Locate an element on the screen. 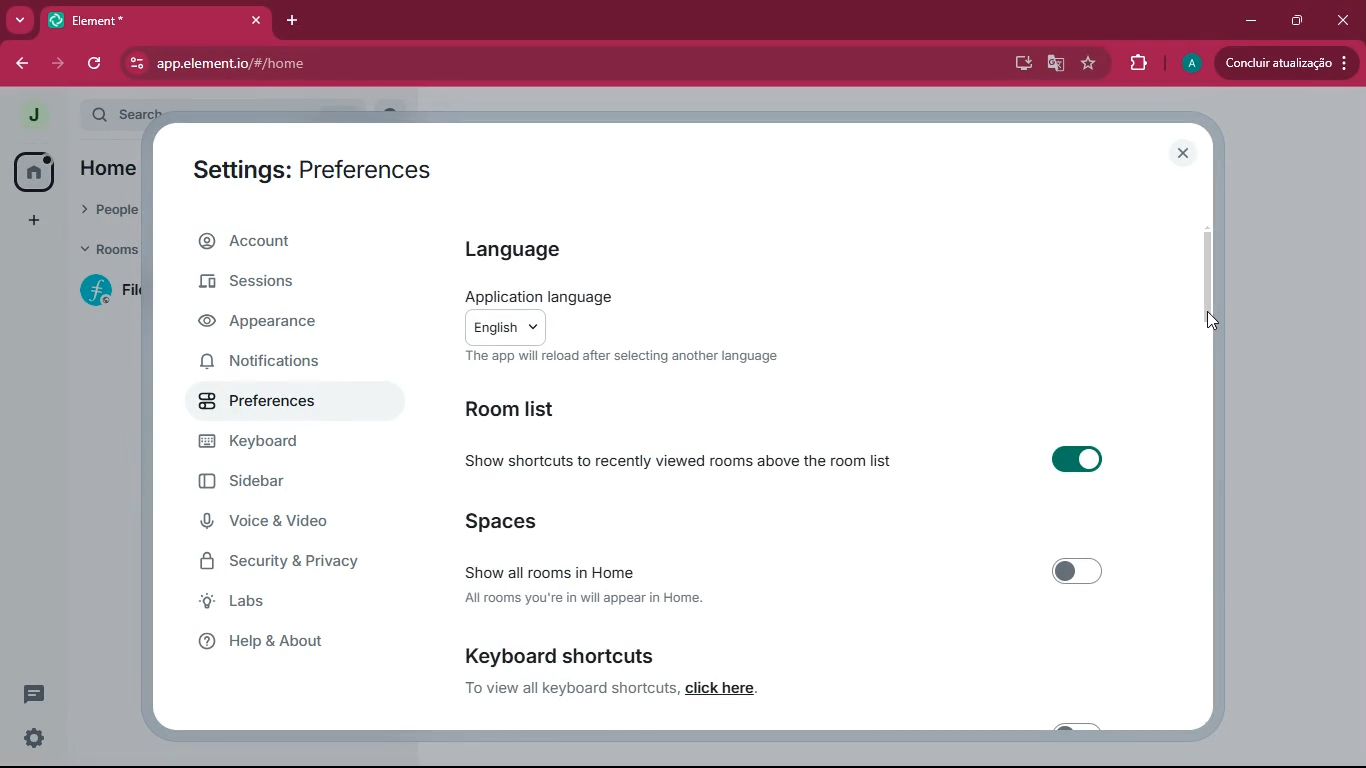 The image size is (1366, 768). add is located at coordinates (33, 220).